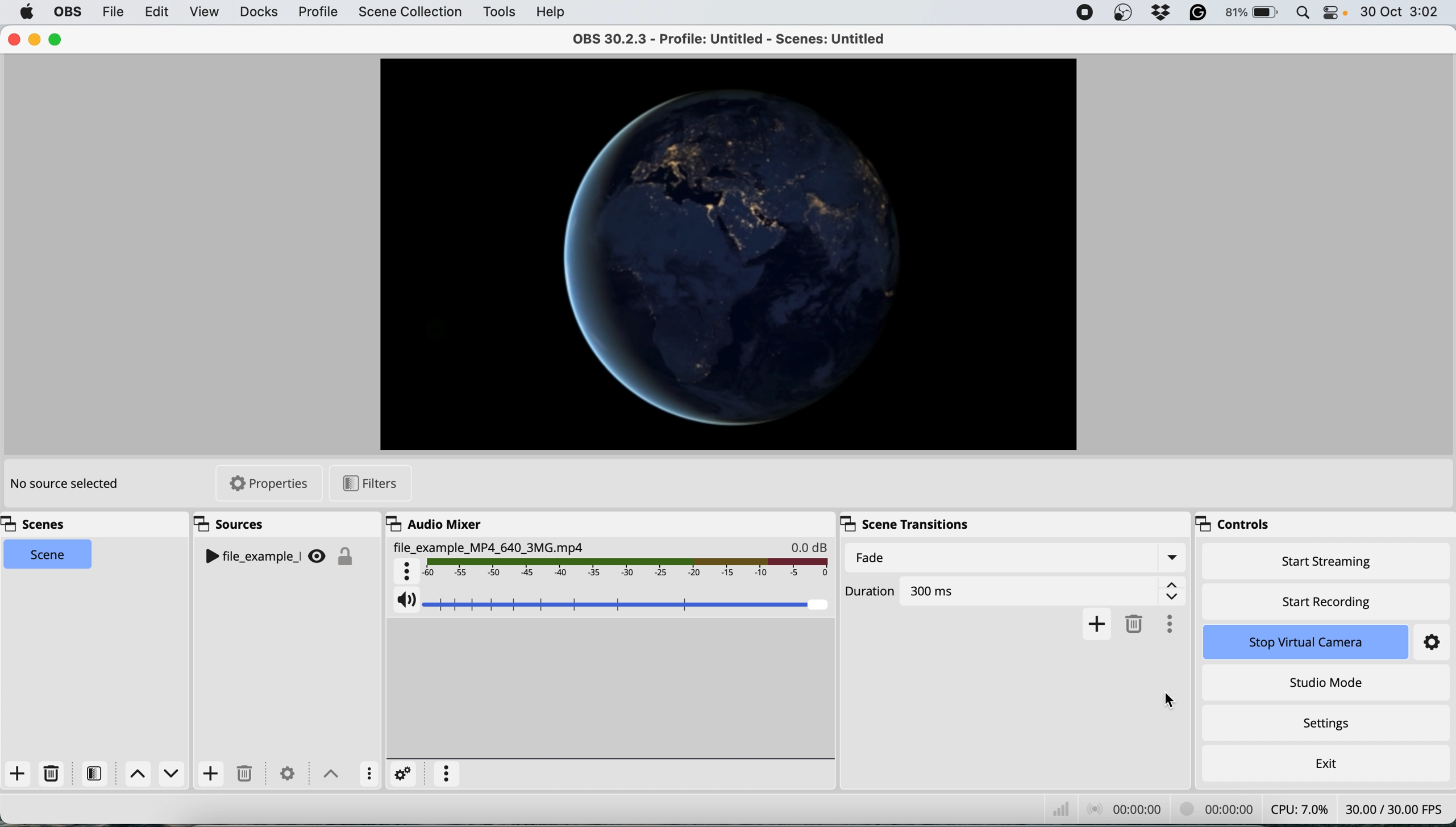 The width and height of the screenshot is (1456, 827). I want to click on start streaming, so click(1322, 562).